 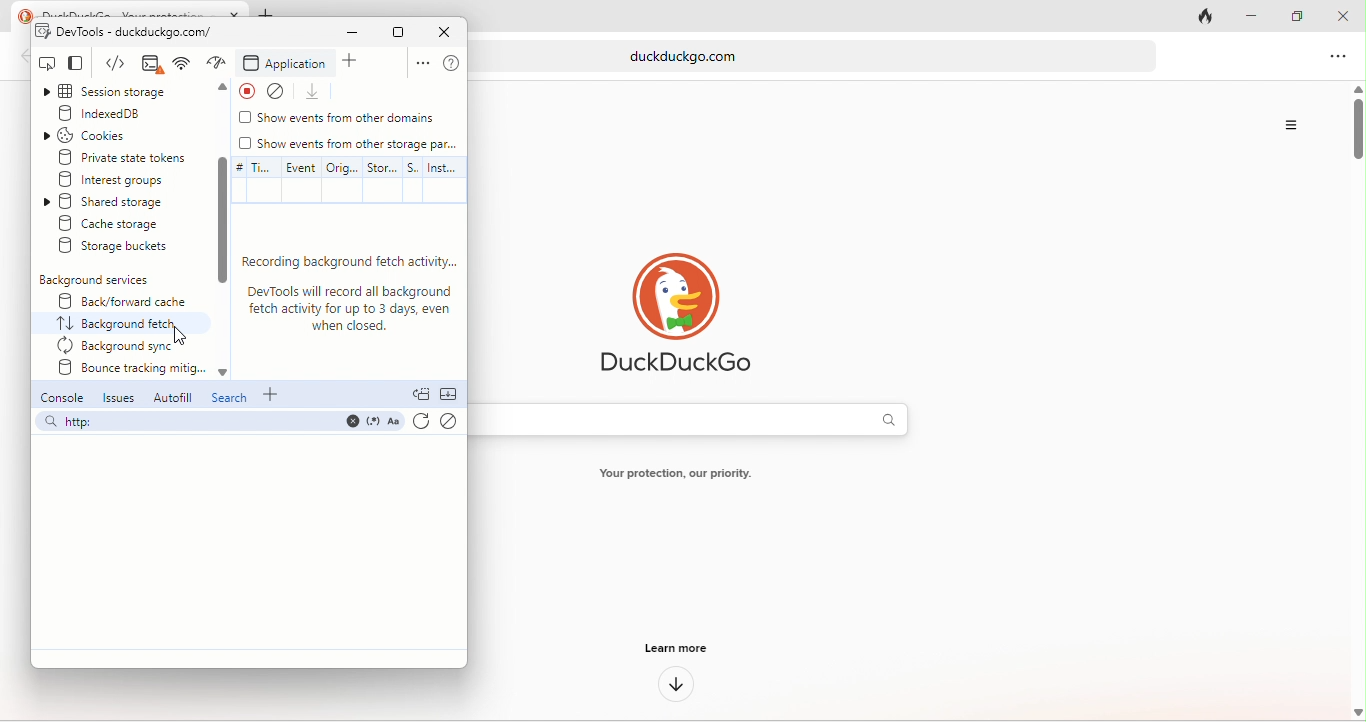 What do you see at coordinates (124, 324) in the screenshot?
I see `select option` at bounding box center [124, 324].